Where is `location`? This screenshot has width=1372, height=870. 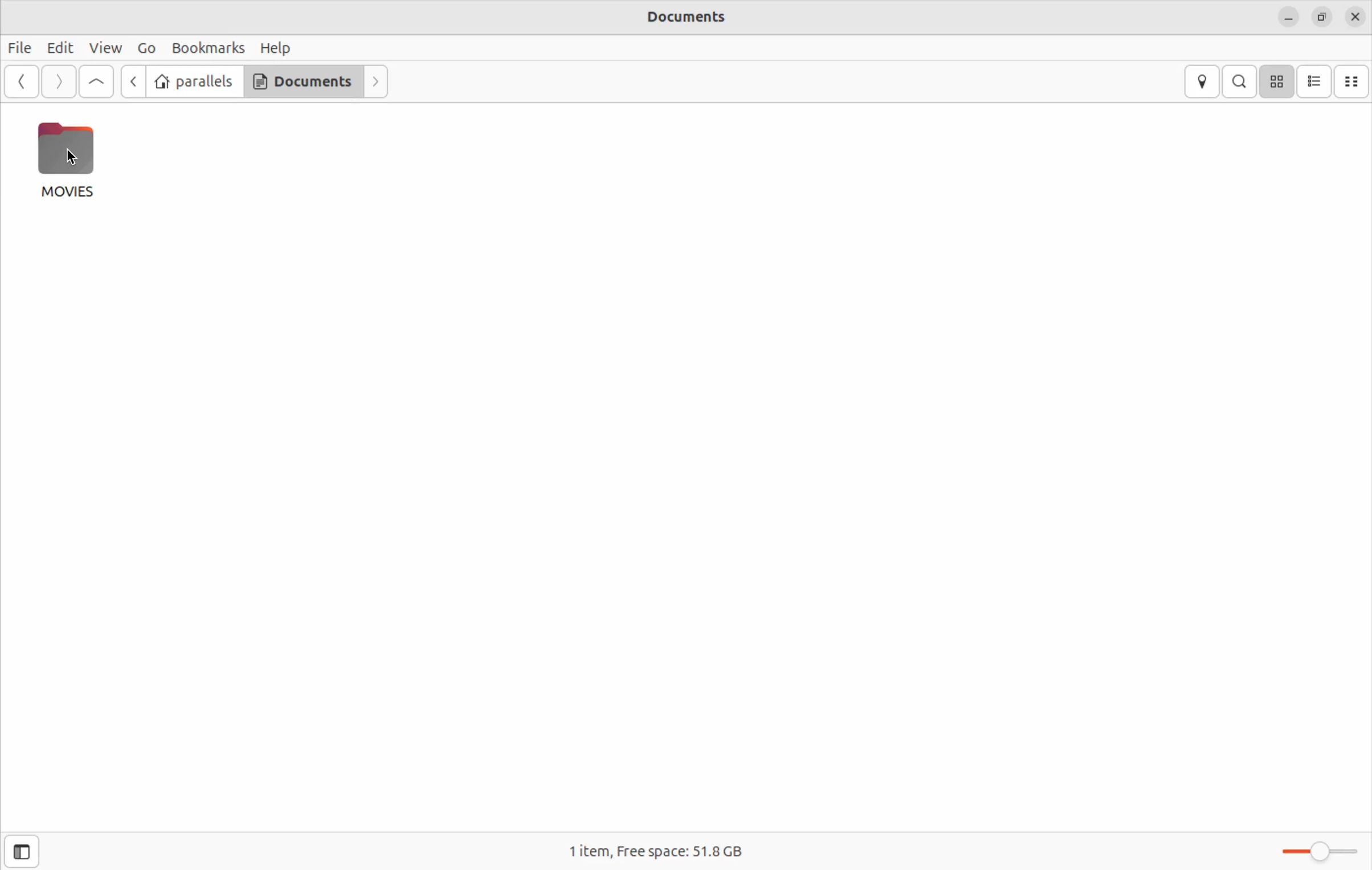 location is located at coordinates (1201, 82).